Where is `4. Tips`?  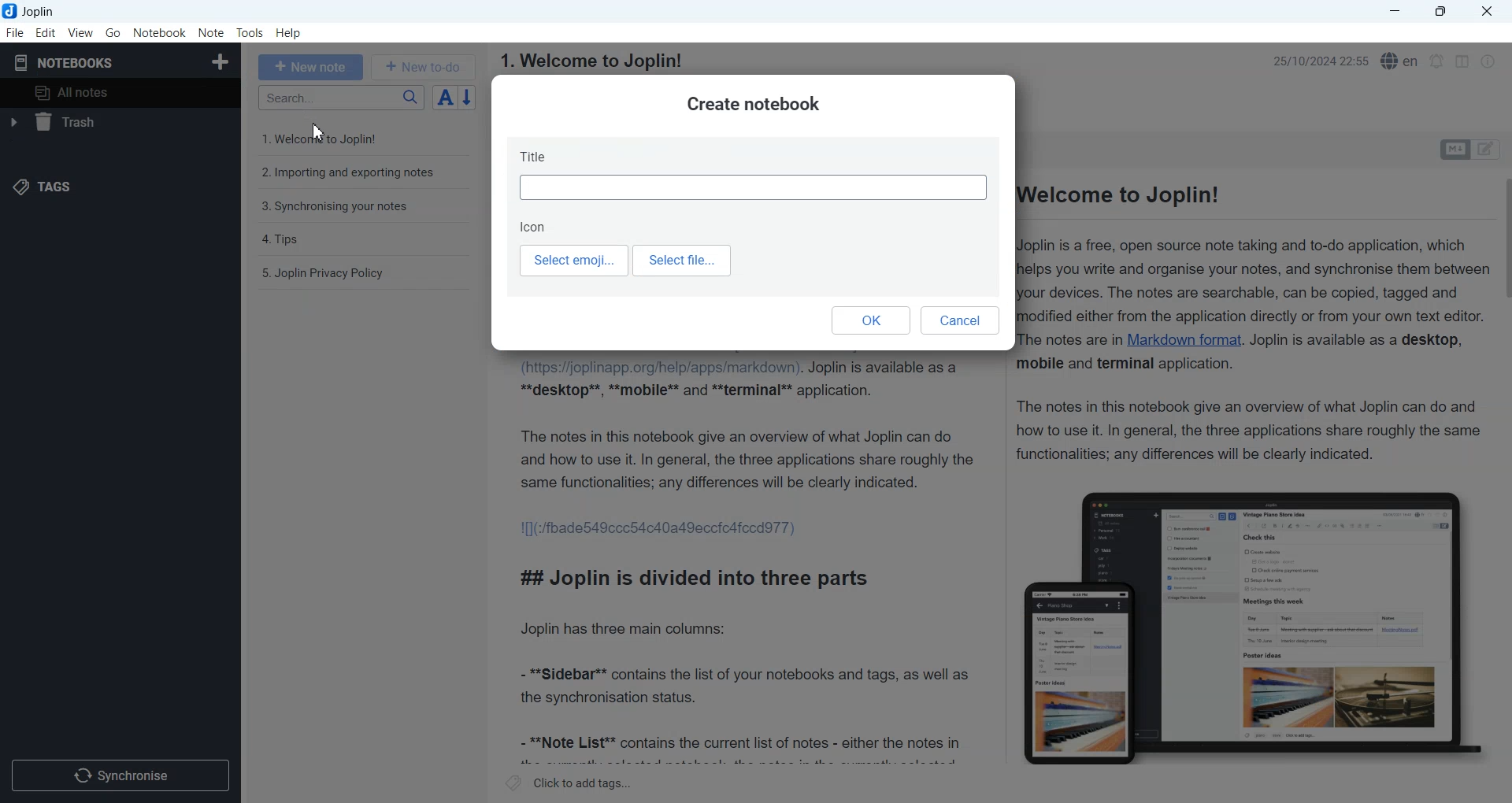
4. Tips is located at coordinates (282, 239).